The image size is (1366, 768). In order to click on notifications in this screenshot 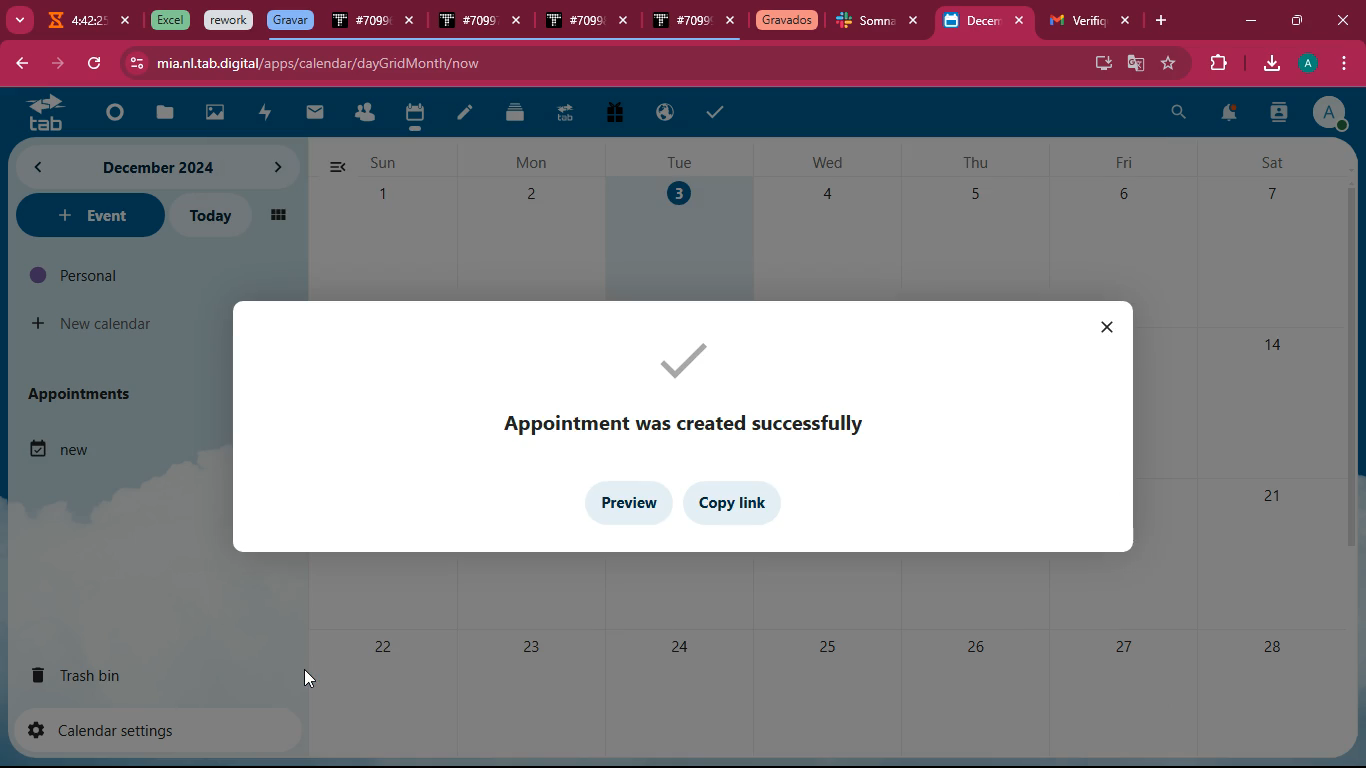, I will do `click(1227, 116)`.